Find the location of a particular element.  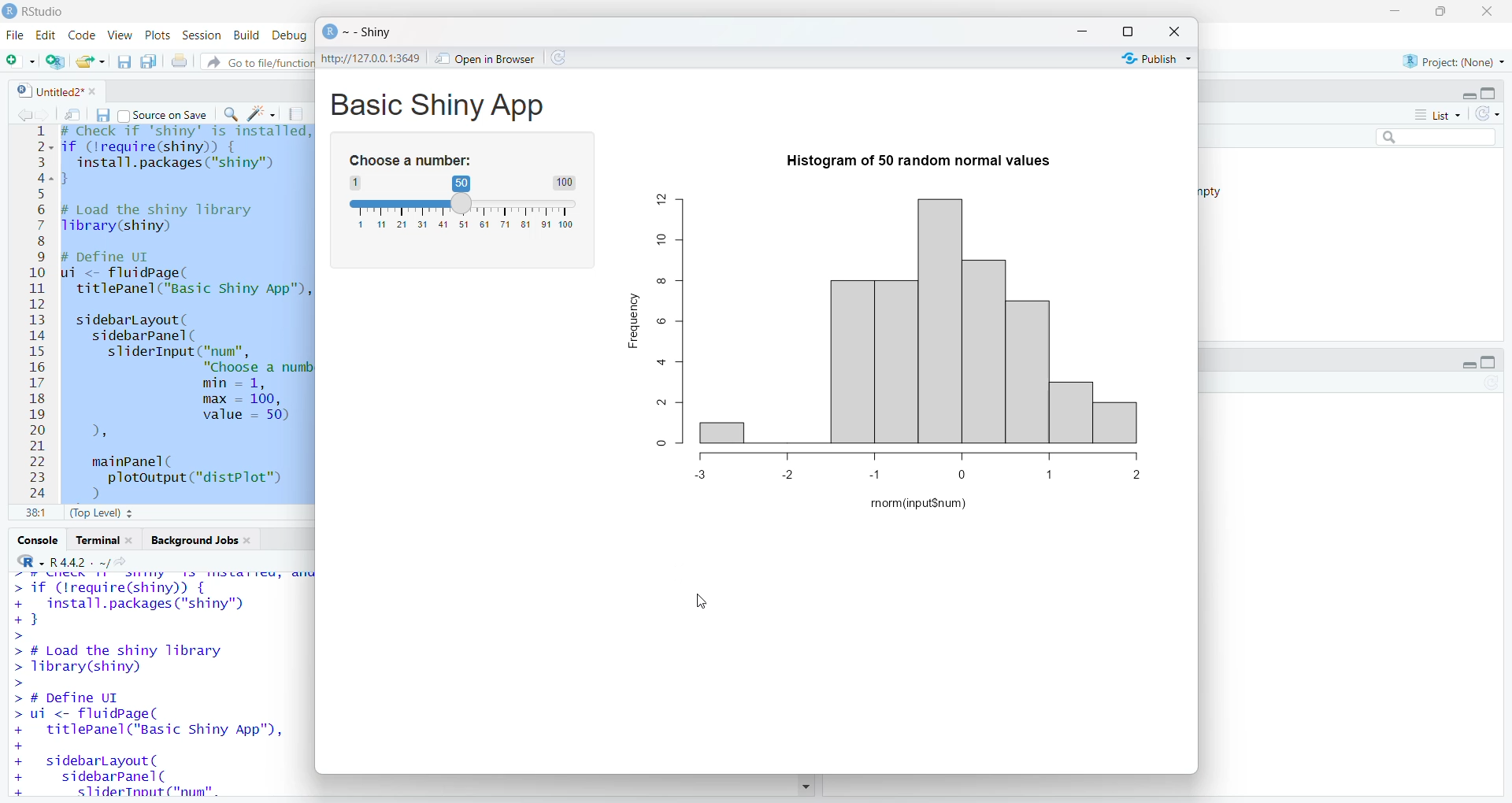

Shiny is located at coordinates (371, 33).